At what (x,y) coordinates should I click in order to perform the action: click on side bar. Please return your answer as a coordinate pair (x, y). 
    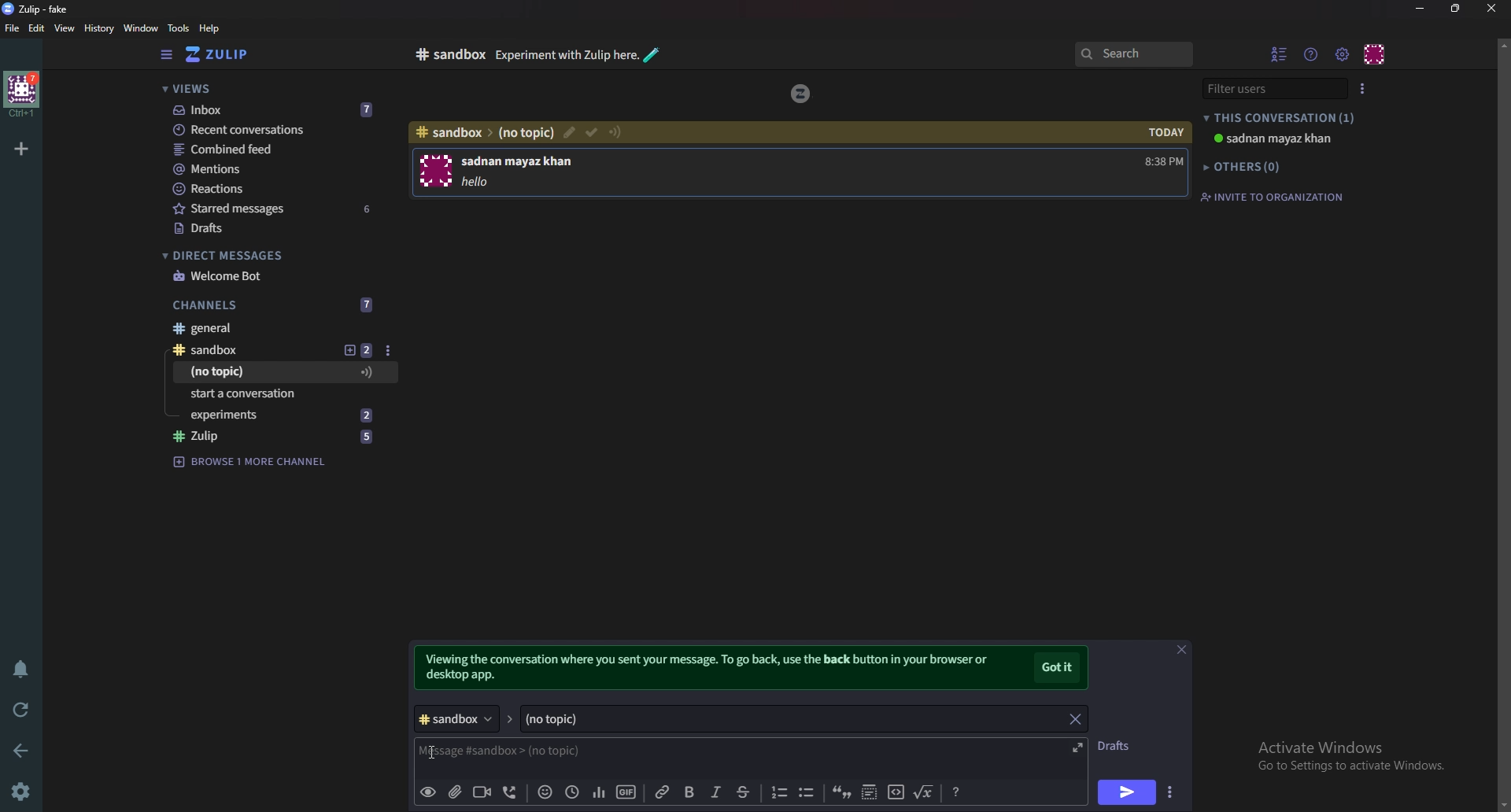
    Looking at the image, I should click on (167, 55).